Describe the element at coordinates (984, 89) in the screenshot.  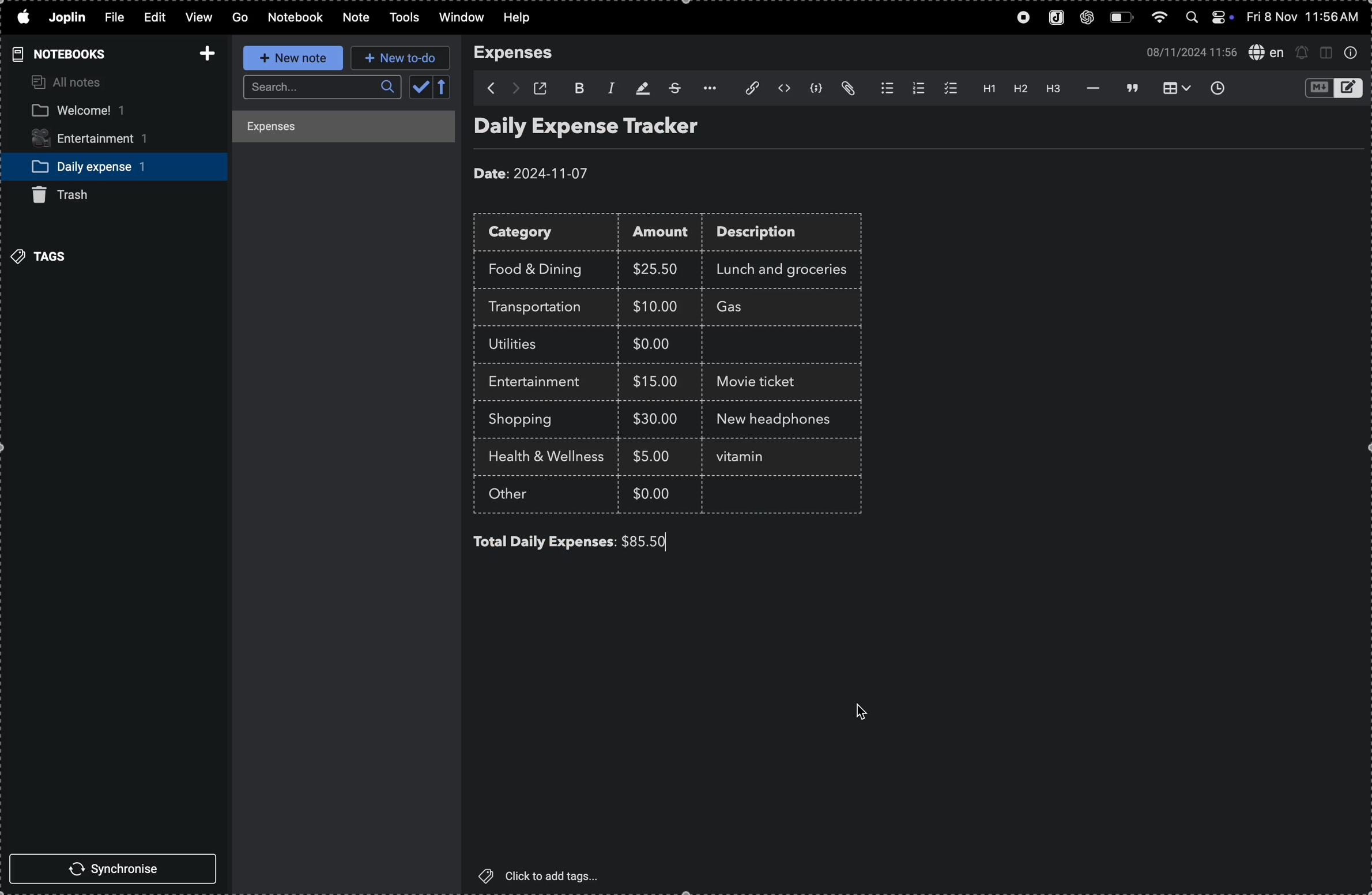
I see `heading 1` at that location.